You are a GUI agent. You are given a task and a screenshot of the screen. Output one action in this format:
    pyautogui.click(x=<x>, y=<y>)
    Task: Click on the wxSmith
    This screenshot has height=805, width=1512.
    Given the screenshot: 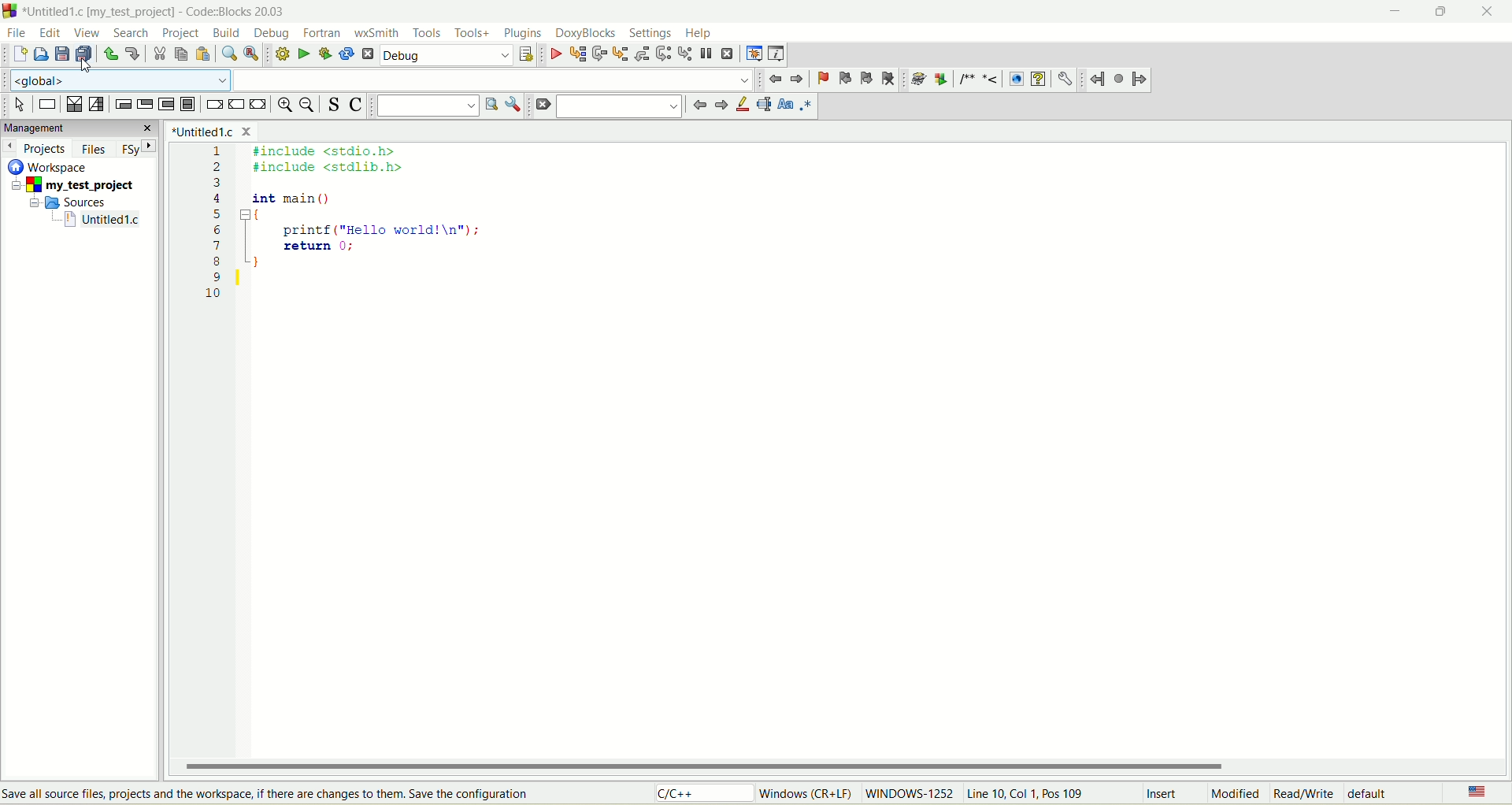 What is the action you would take?
    pyautogui.click(x=379, y=32)
    